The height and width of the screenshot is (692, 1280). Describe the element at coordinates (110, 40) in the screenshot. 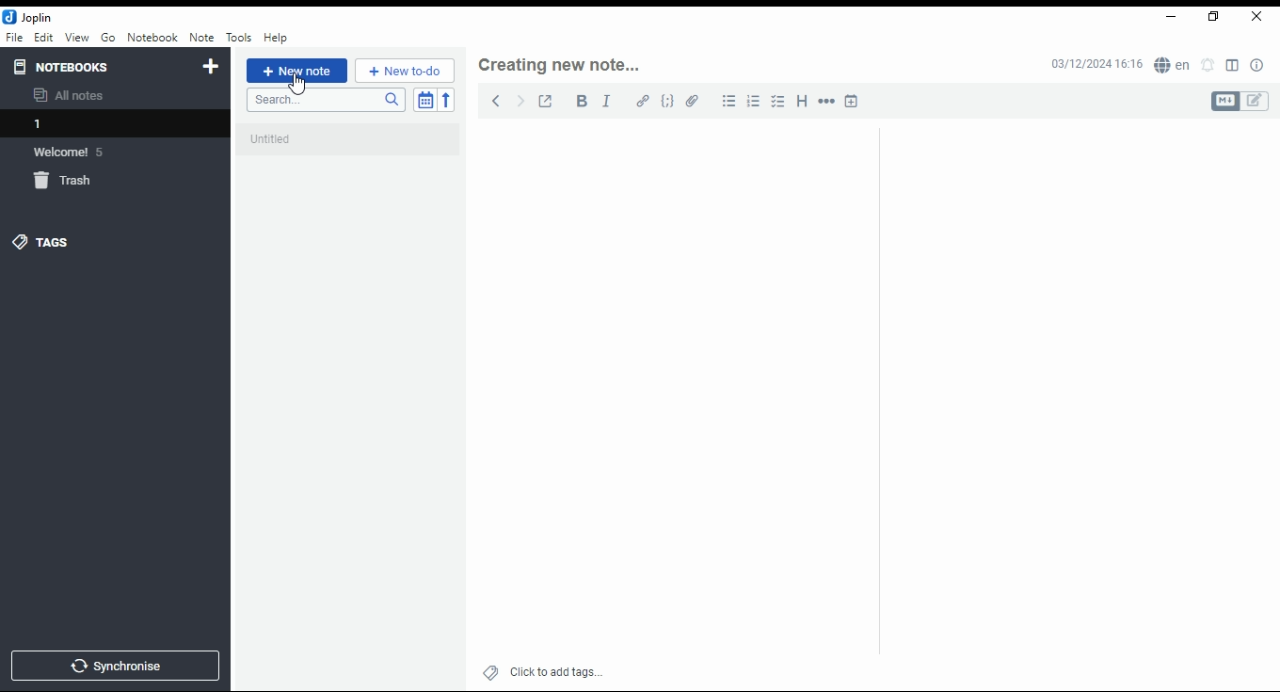

I see `go` at that location.